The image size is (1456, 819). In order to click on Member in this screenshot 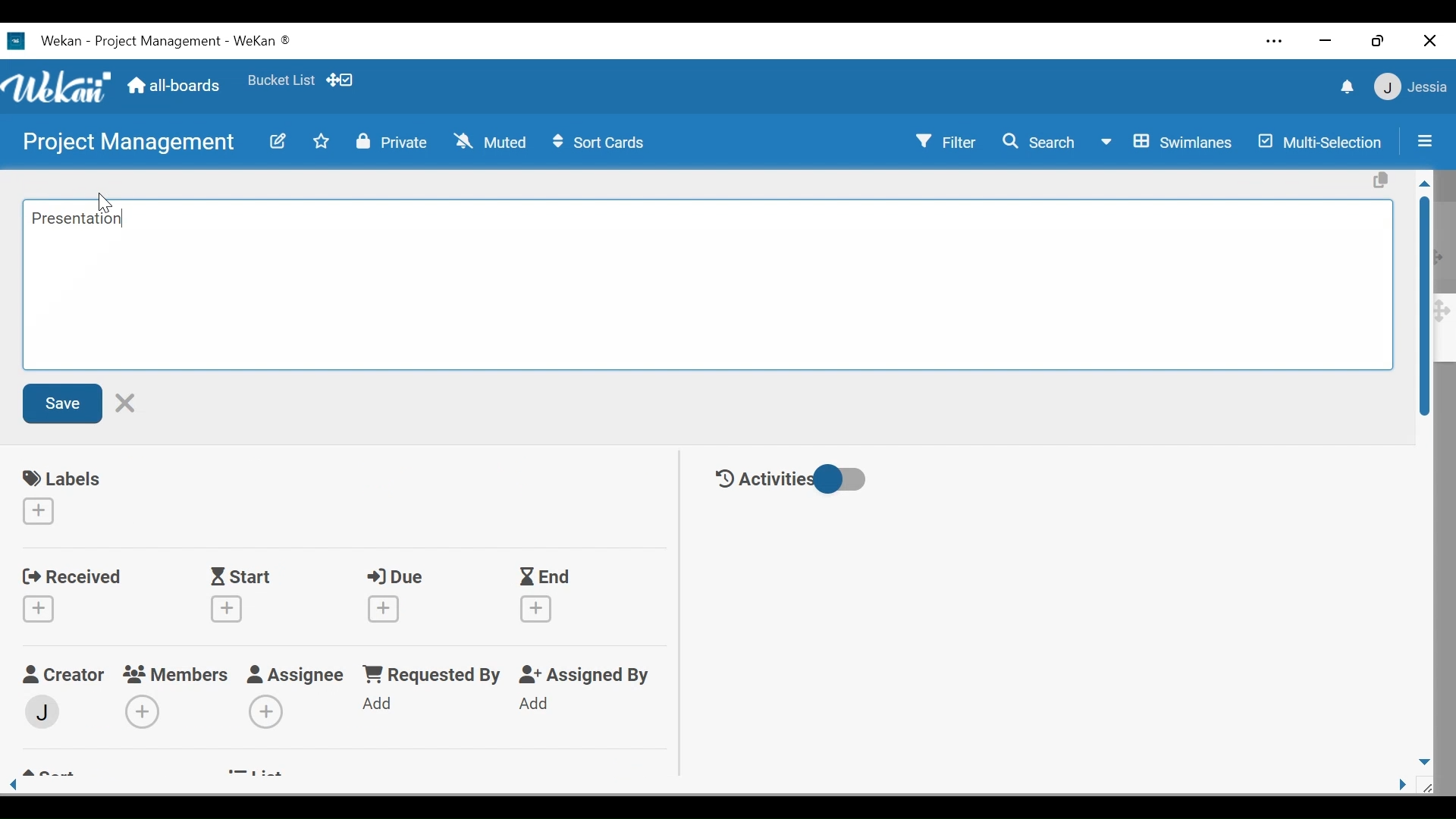, I will do `click(44, 711)`.